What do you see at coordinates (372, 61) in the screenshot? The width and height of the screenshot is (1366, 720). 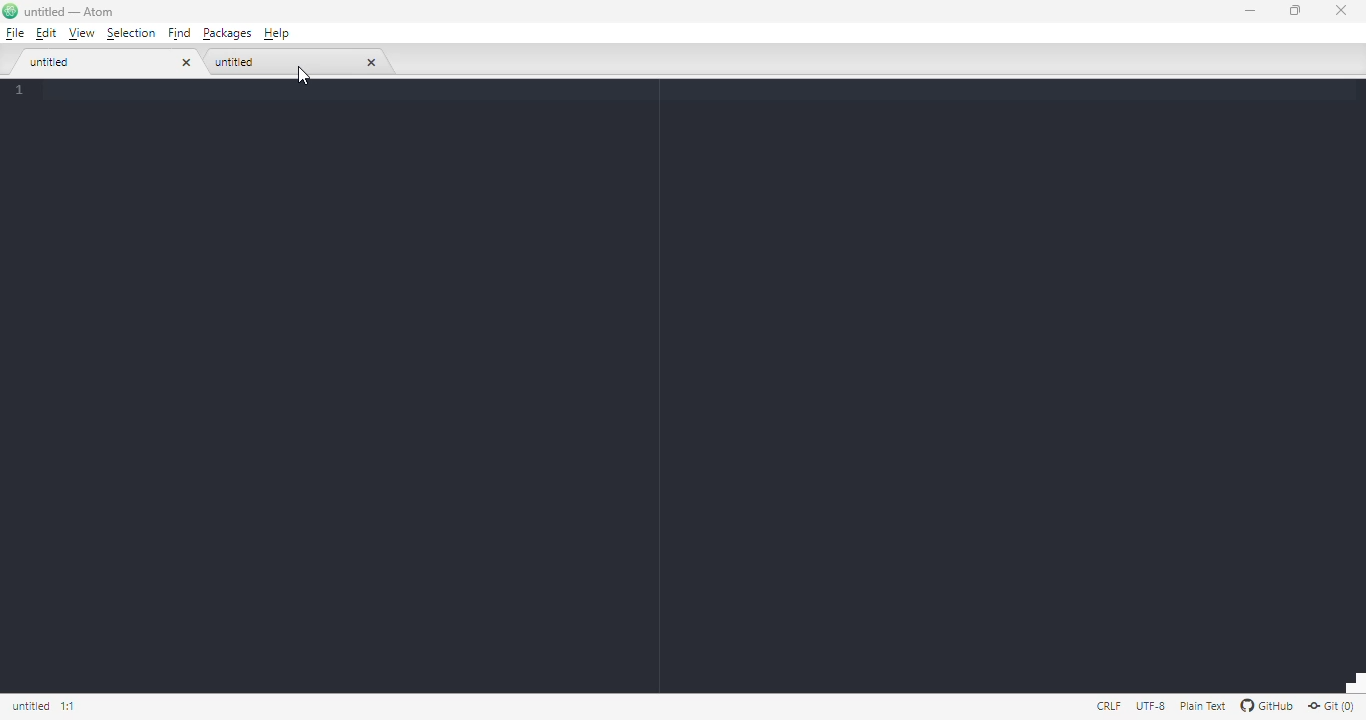 I see `close tab` at bounding box center [372, 61].